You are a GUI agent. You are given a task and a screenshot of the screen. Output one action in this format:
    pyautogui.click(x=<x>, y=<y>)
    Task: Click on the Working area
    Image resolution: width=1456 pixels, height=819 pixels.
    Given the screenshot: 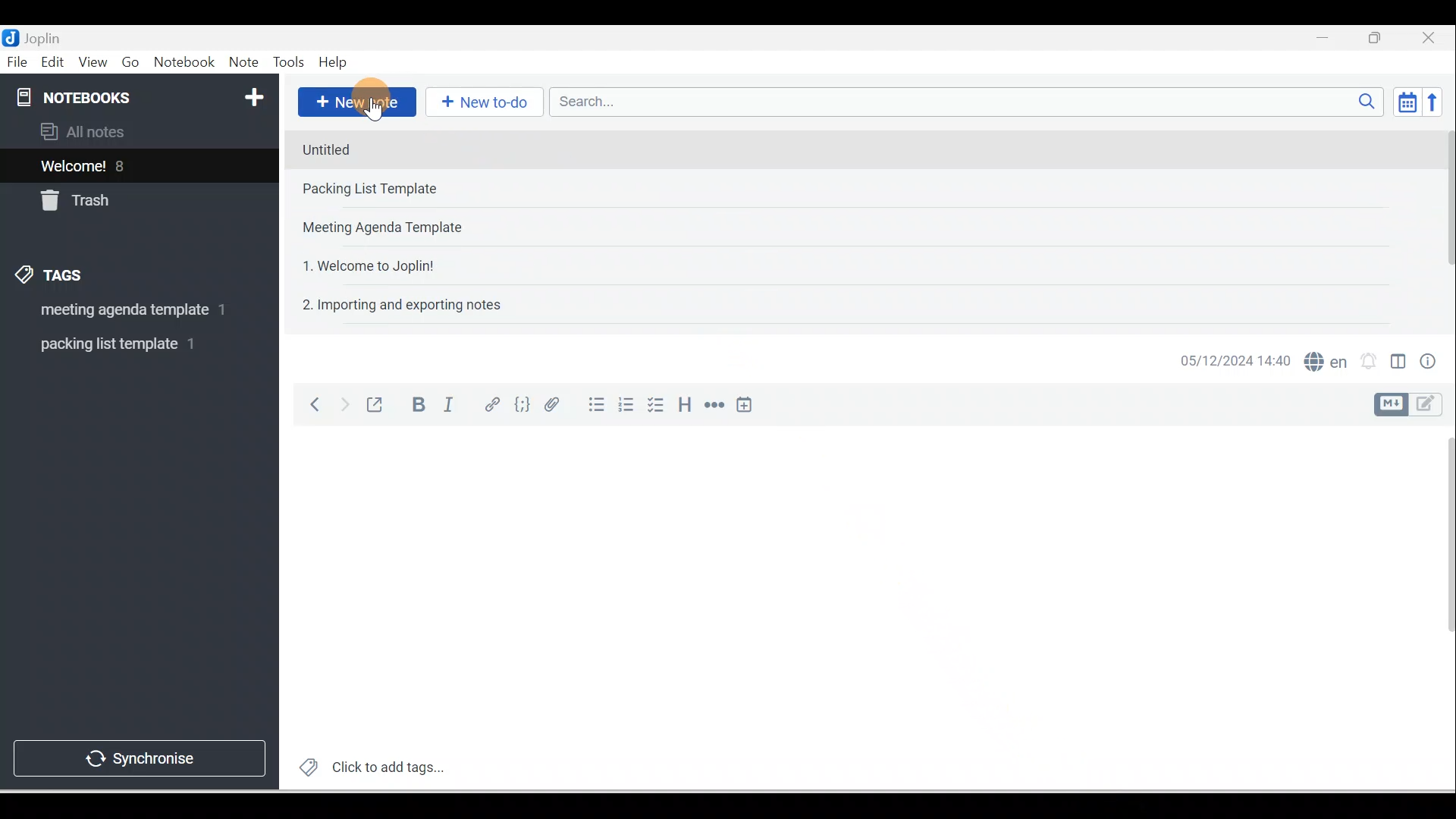 What is the action you would take?
    pyautogui.click(x=843, y=582)
    